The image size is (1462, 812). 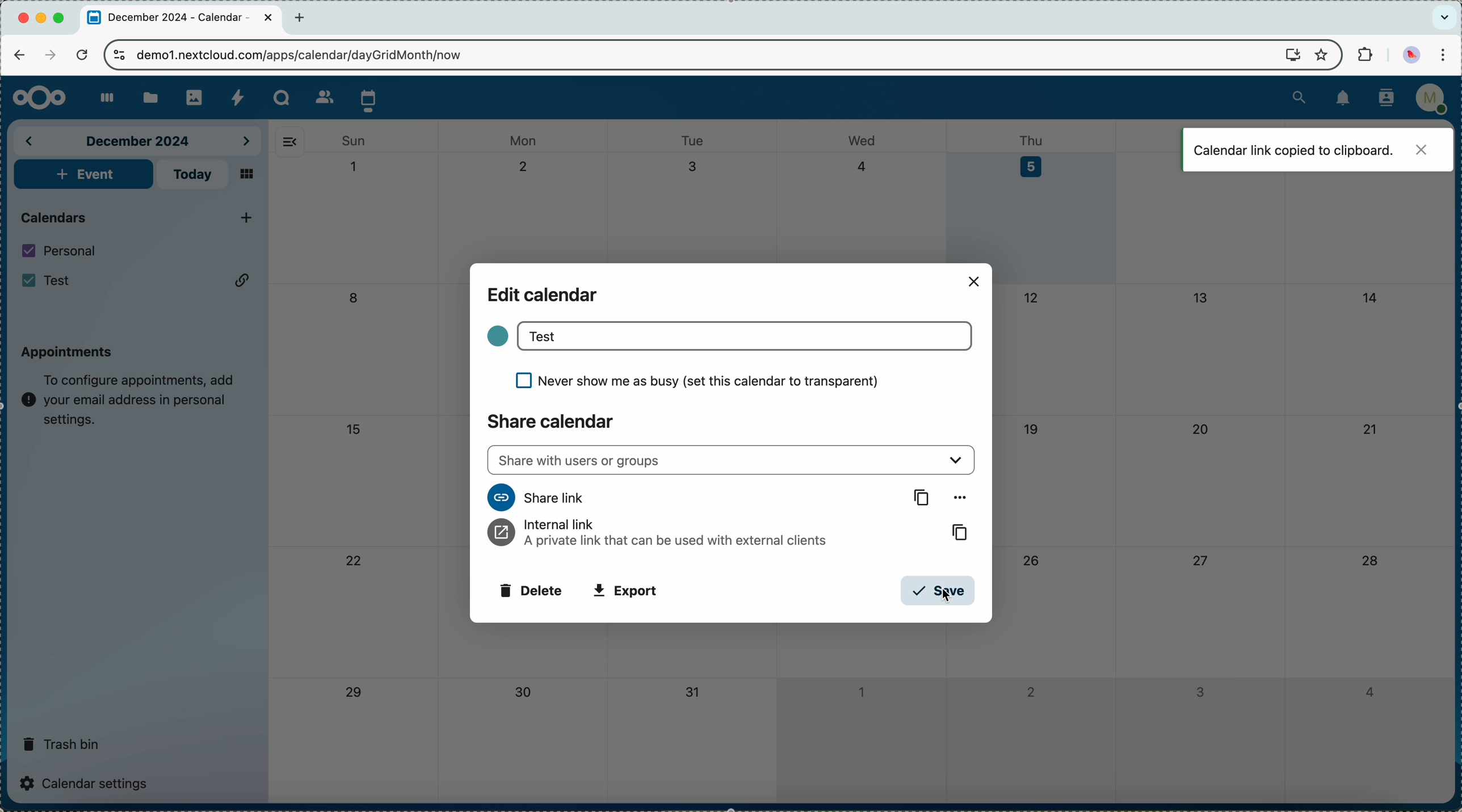 I want to click on activity, so click(x=238, y=97).